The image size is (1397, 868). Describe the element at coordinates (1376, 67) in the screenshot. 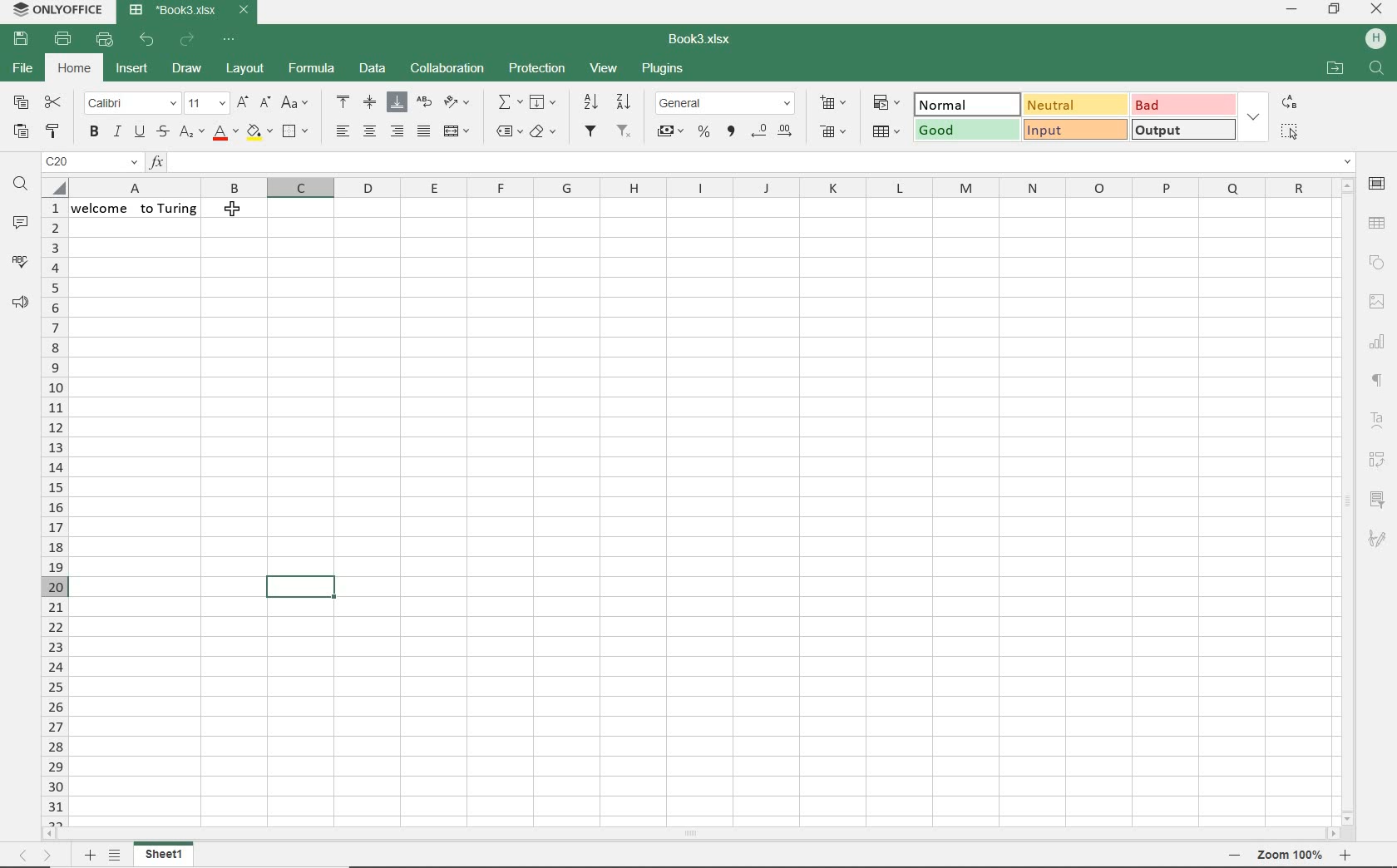

I see `FIND` at that location.